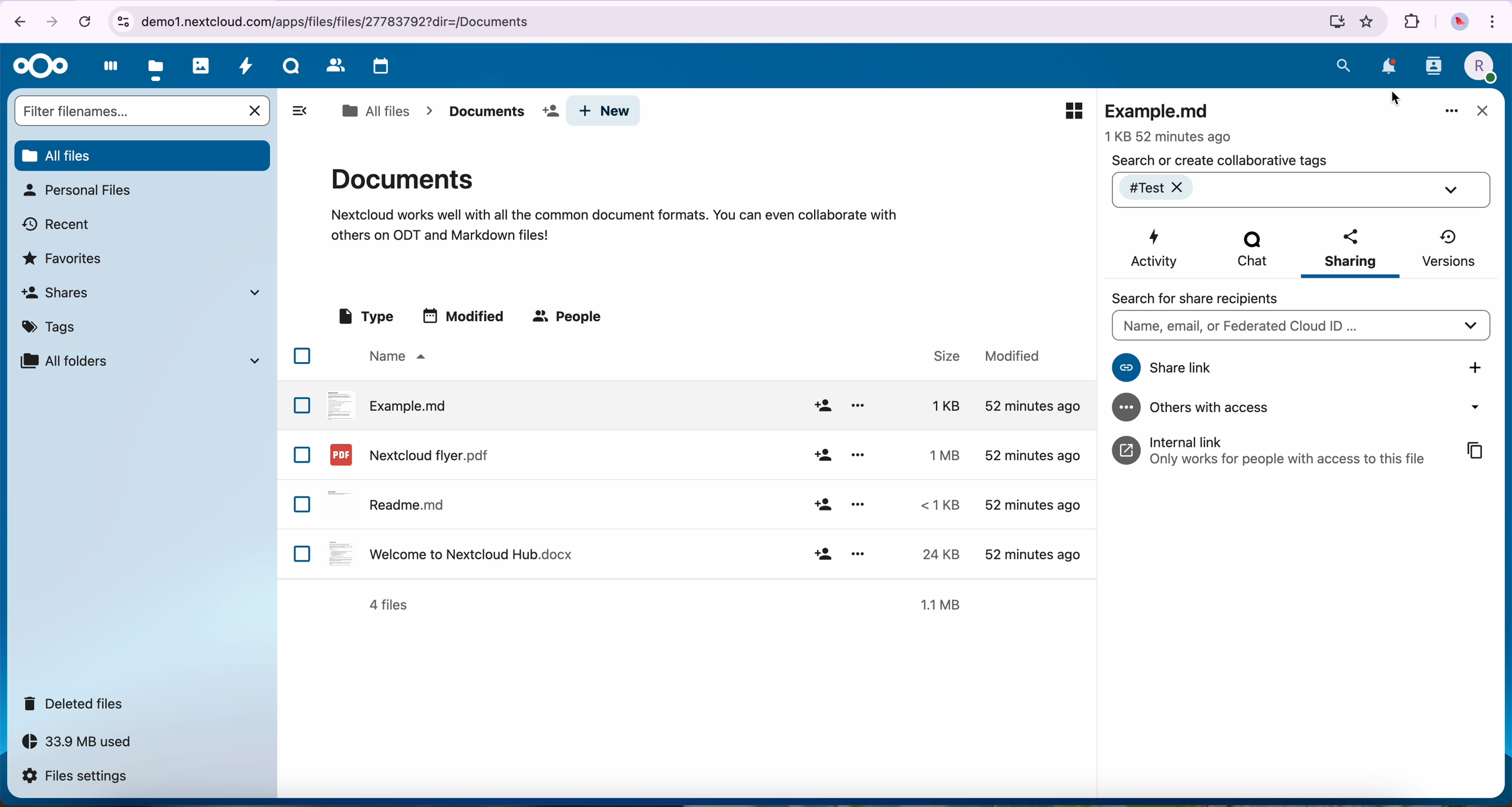  Describe the element at coordinates (375, 111) in the screenshot. I see `all files` at that location.